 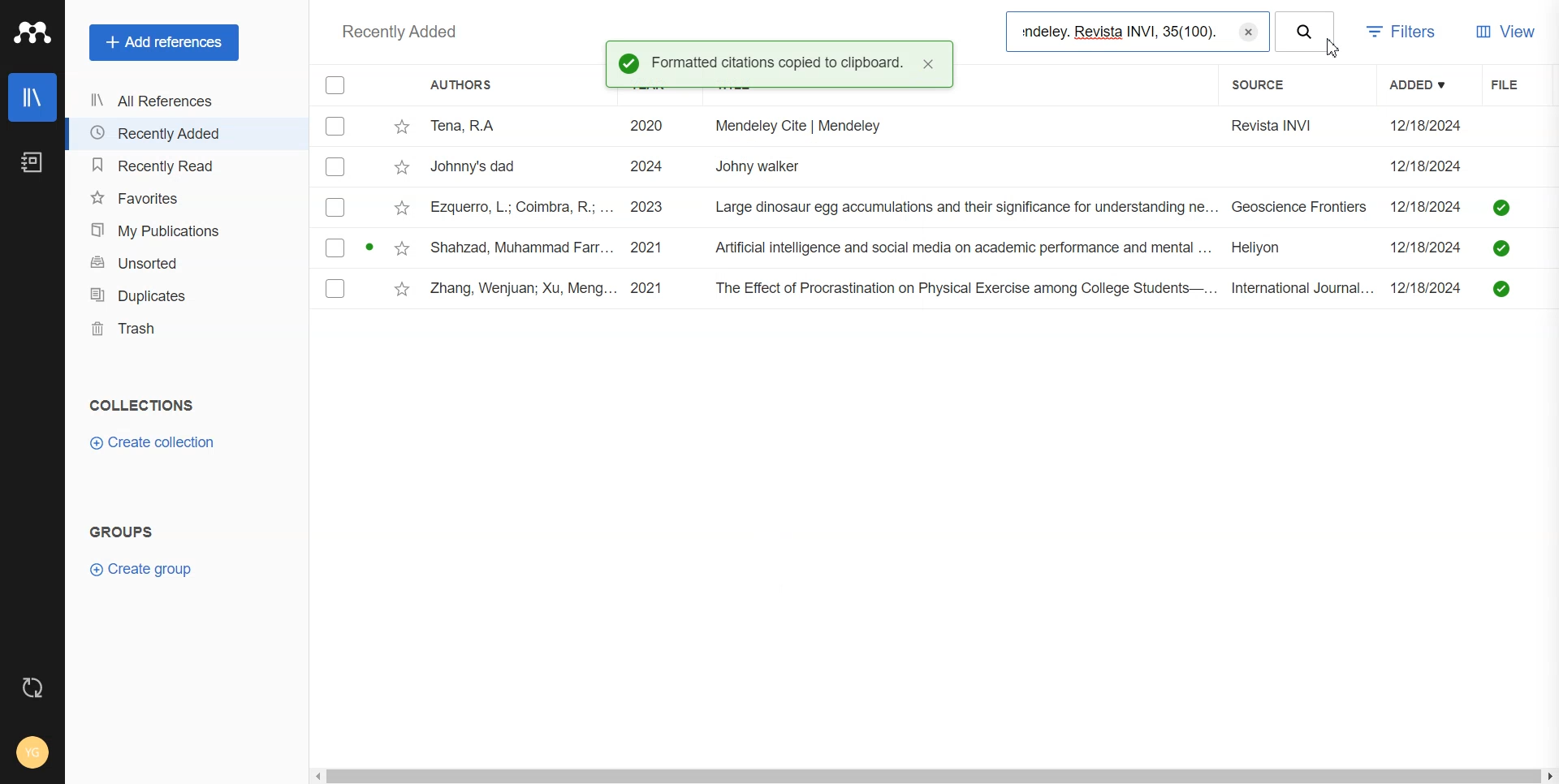 What do you see at coordinates (900, 208) in the screenshot?
I see `ezquerro, L.; Coimbra, R.; ... 2023 Large dinosaur egg accumulations and their significance for understanding ne... Geoscience Frontiers` at bounding box center [900, 208].